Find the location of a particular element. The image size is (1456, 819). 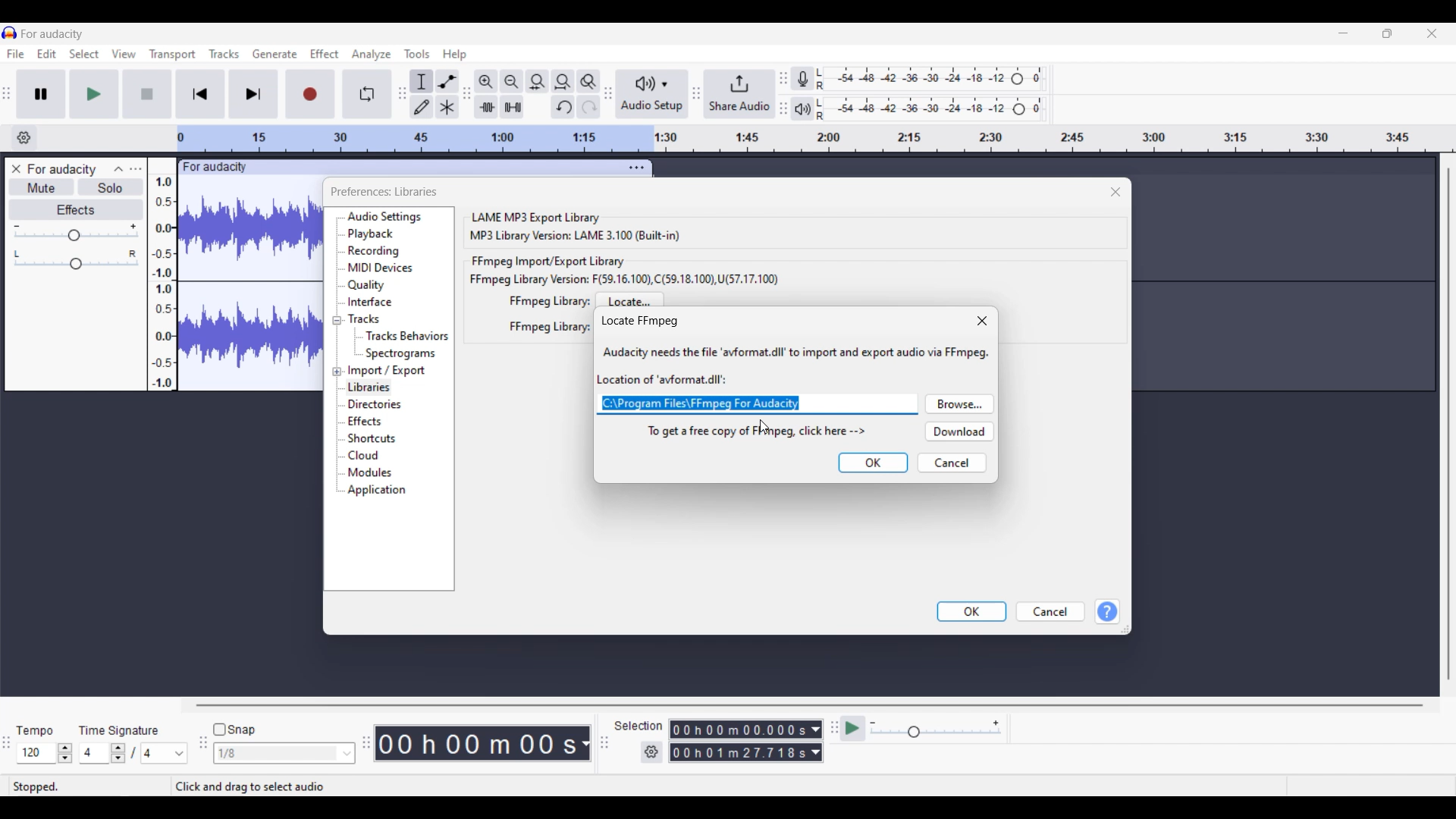

Tempo settings is located at coordinates (45, 753).